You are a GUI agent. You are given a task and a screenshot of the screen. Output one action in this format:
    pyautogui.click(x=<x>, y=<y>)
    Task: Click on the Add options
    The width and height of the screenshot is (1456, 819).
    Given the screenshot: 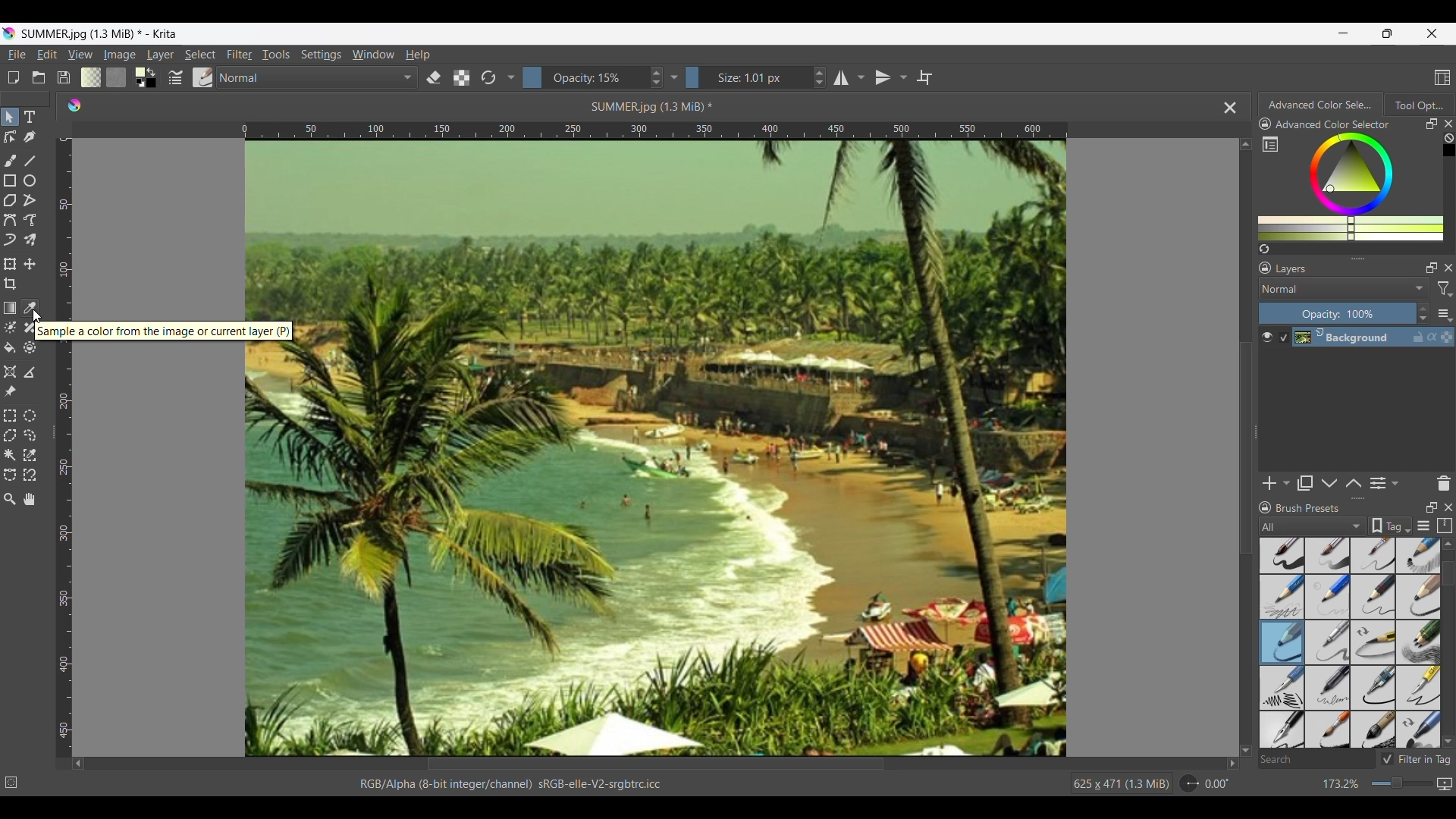 What is the action you would take?
    pyautogui.click(x=1286, y=484)
    